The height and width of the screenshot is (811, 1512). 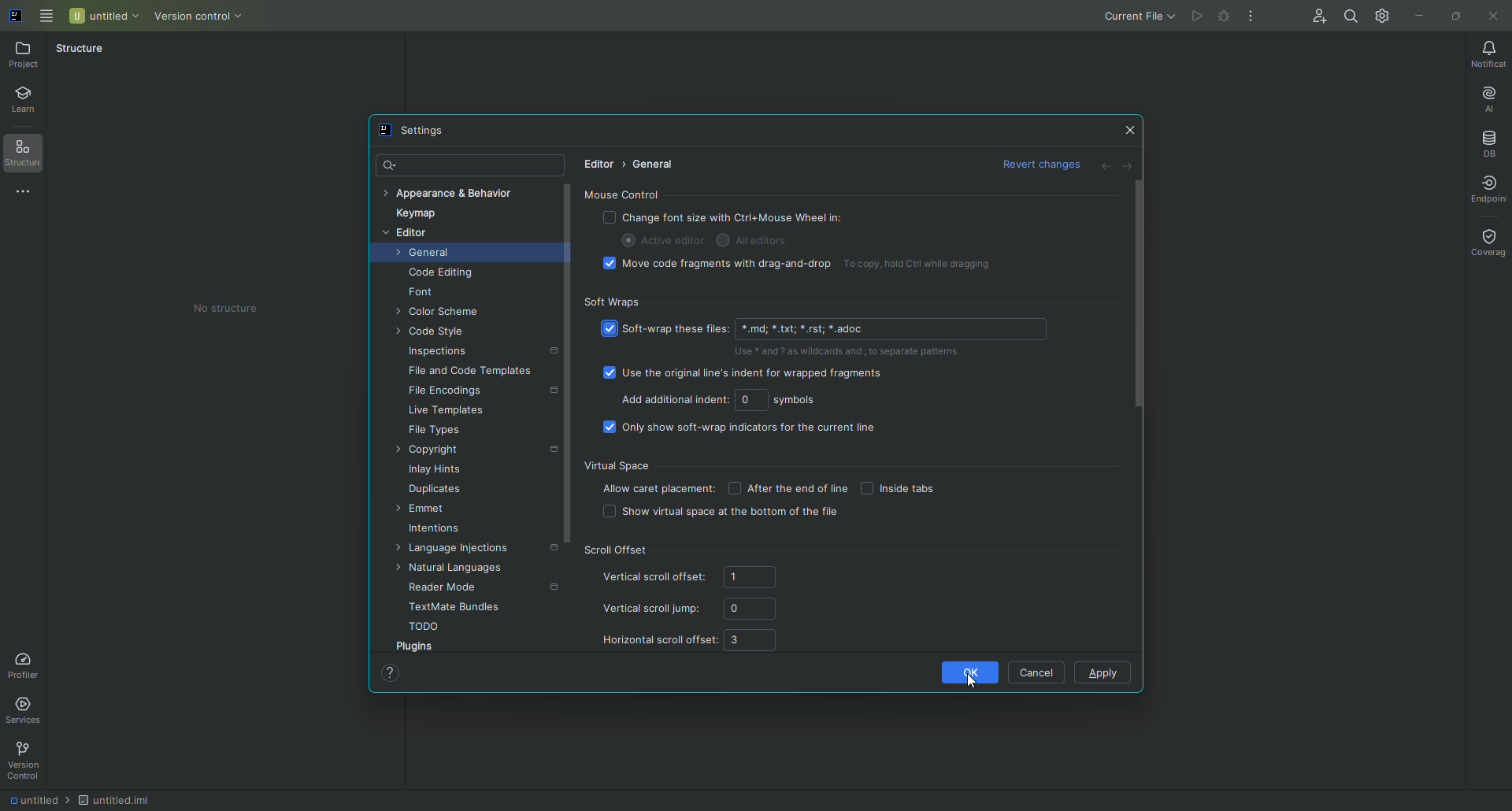 What do you see at coordinates (1422, 15) in the screenshot?
I see `Minimize` at bounding box center [1422, 15].